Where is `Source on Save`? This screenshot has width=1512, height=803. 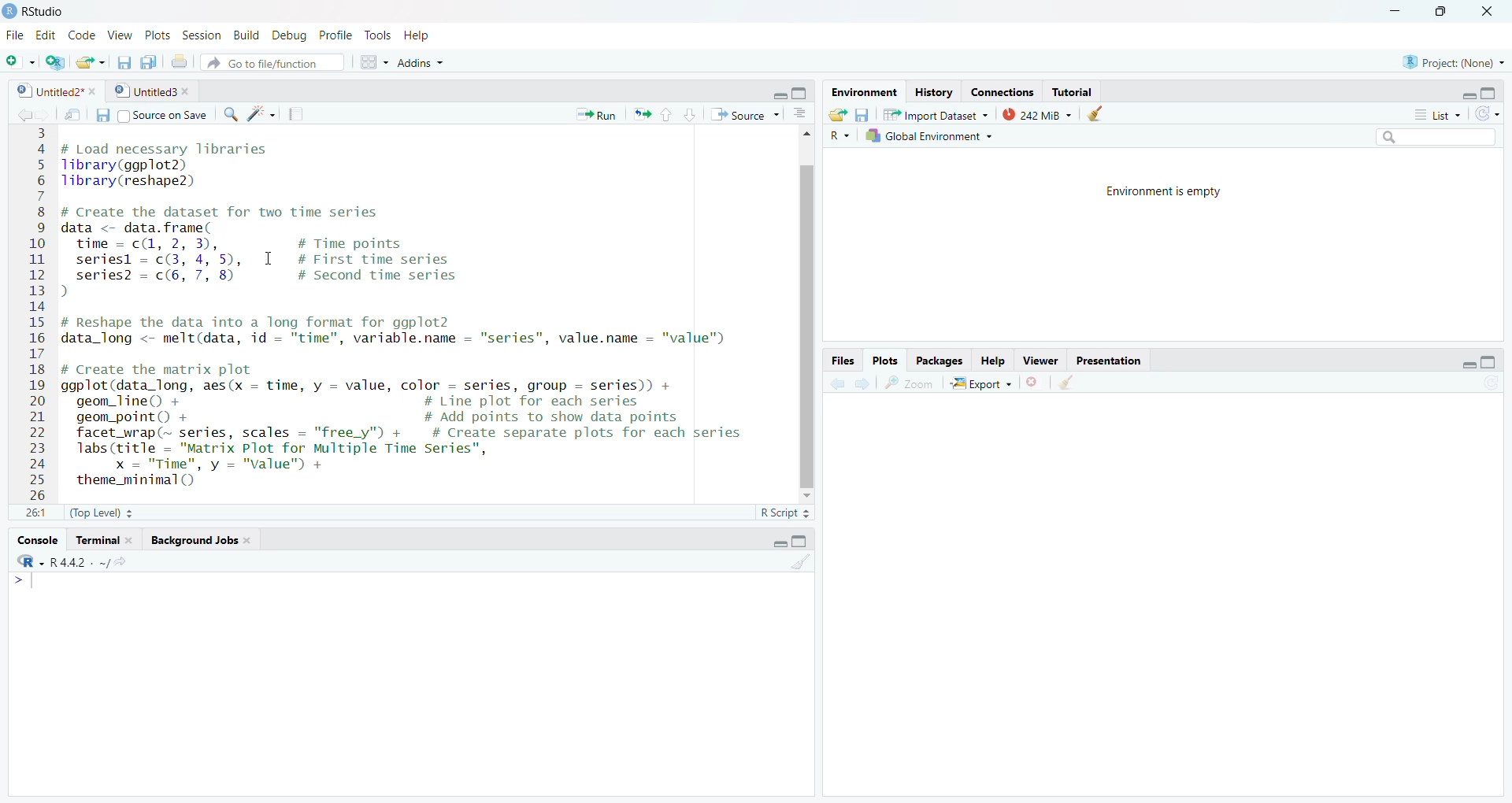
Source on Save is located at coordinates (151, 114).